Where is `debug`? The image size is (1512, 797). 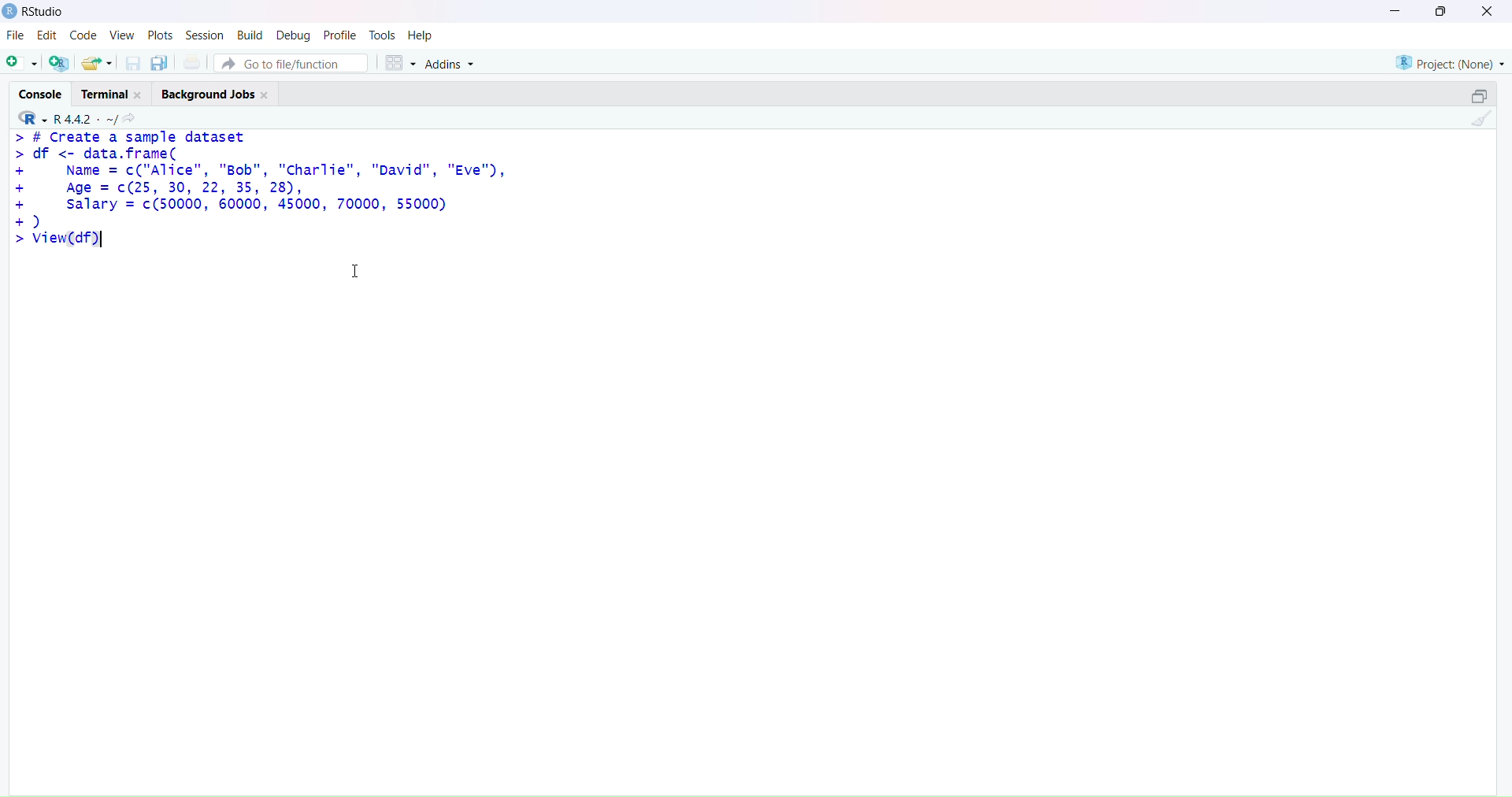
debug is located at coordinates (292, 35).